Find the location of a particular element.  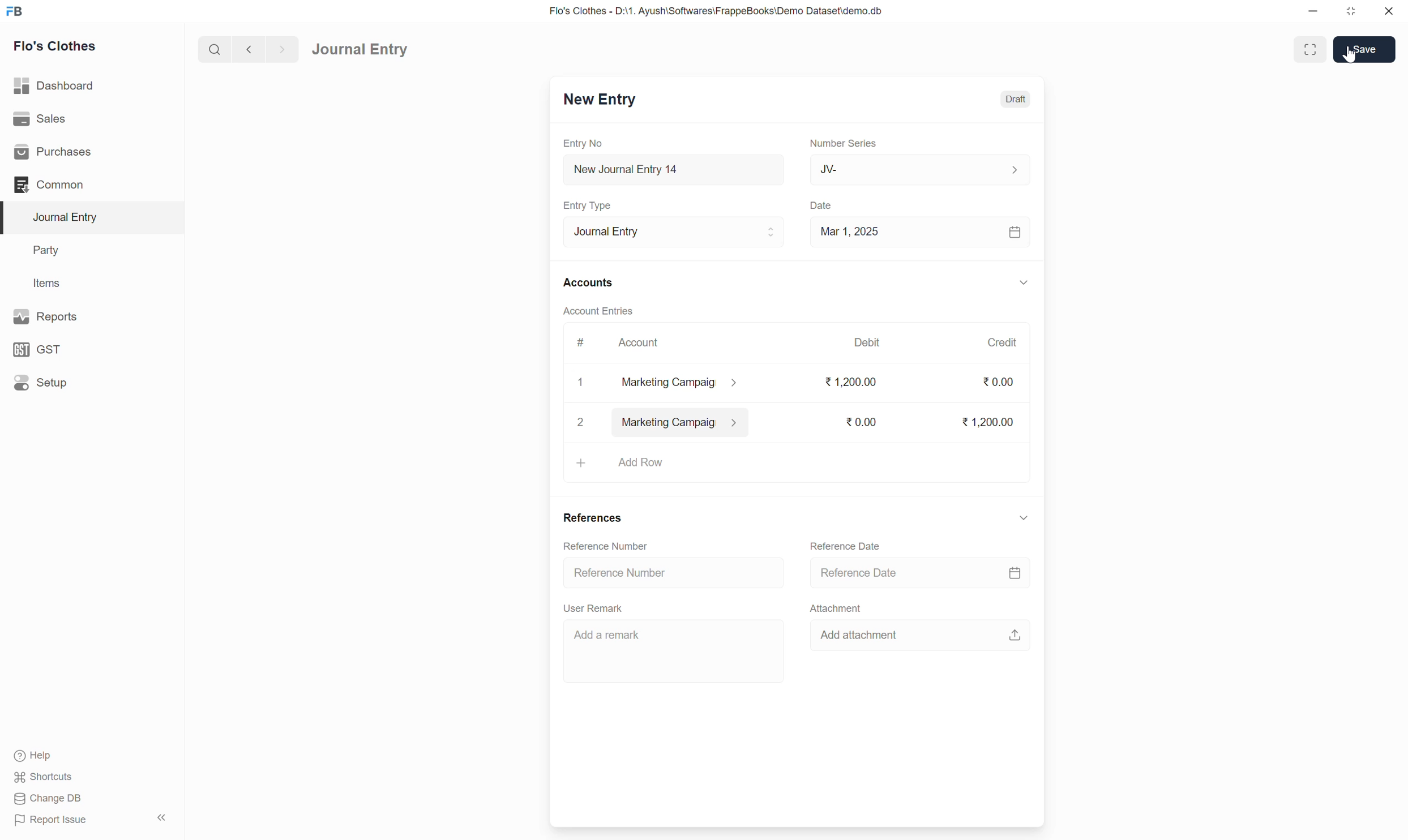

User Remark is located at coordinates (595, 609).